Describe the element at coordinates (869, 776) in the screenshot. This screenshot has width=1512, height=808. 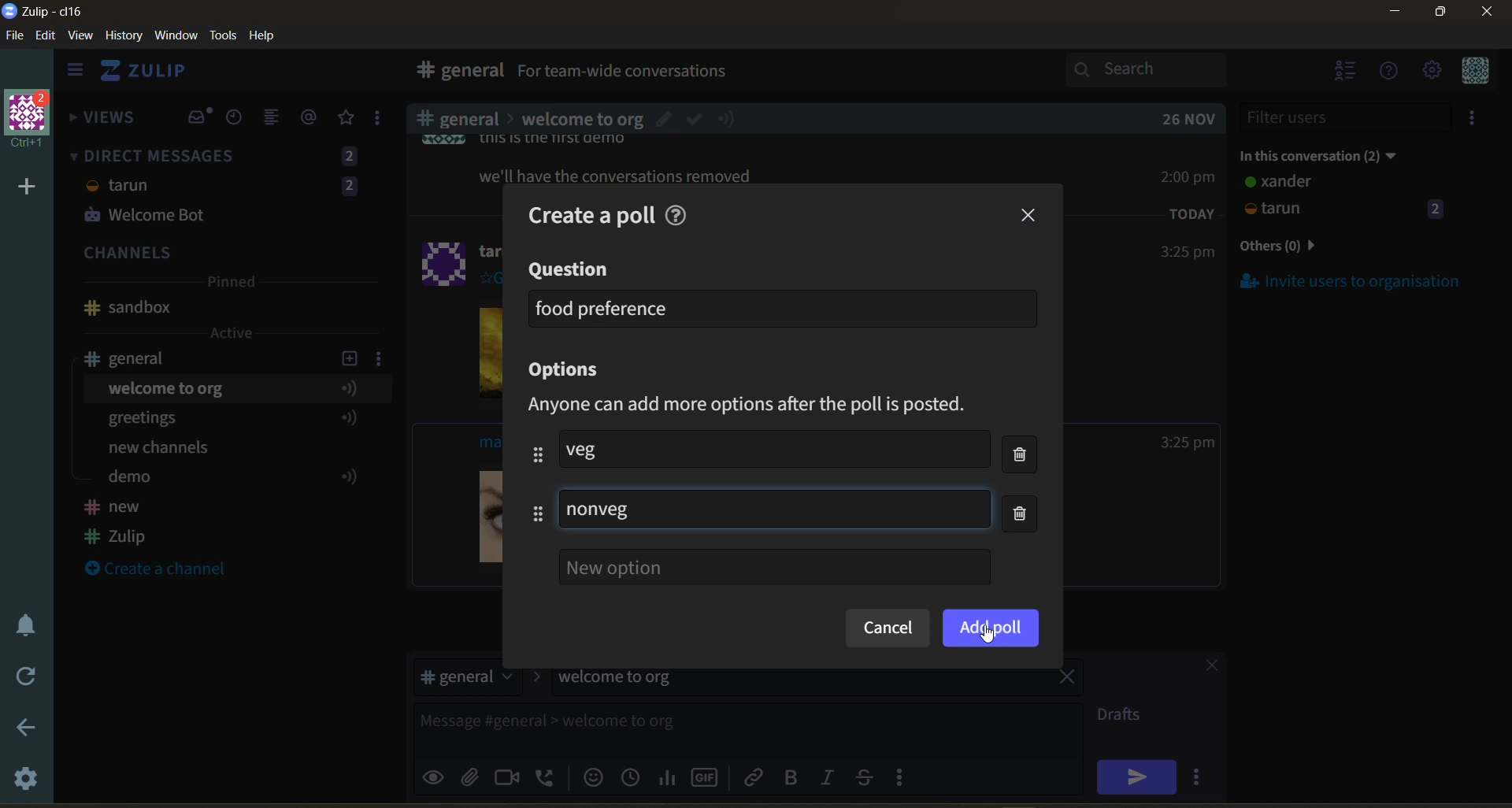
I see `strikethrough` at that location.